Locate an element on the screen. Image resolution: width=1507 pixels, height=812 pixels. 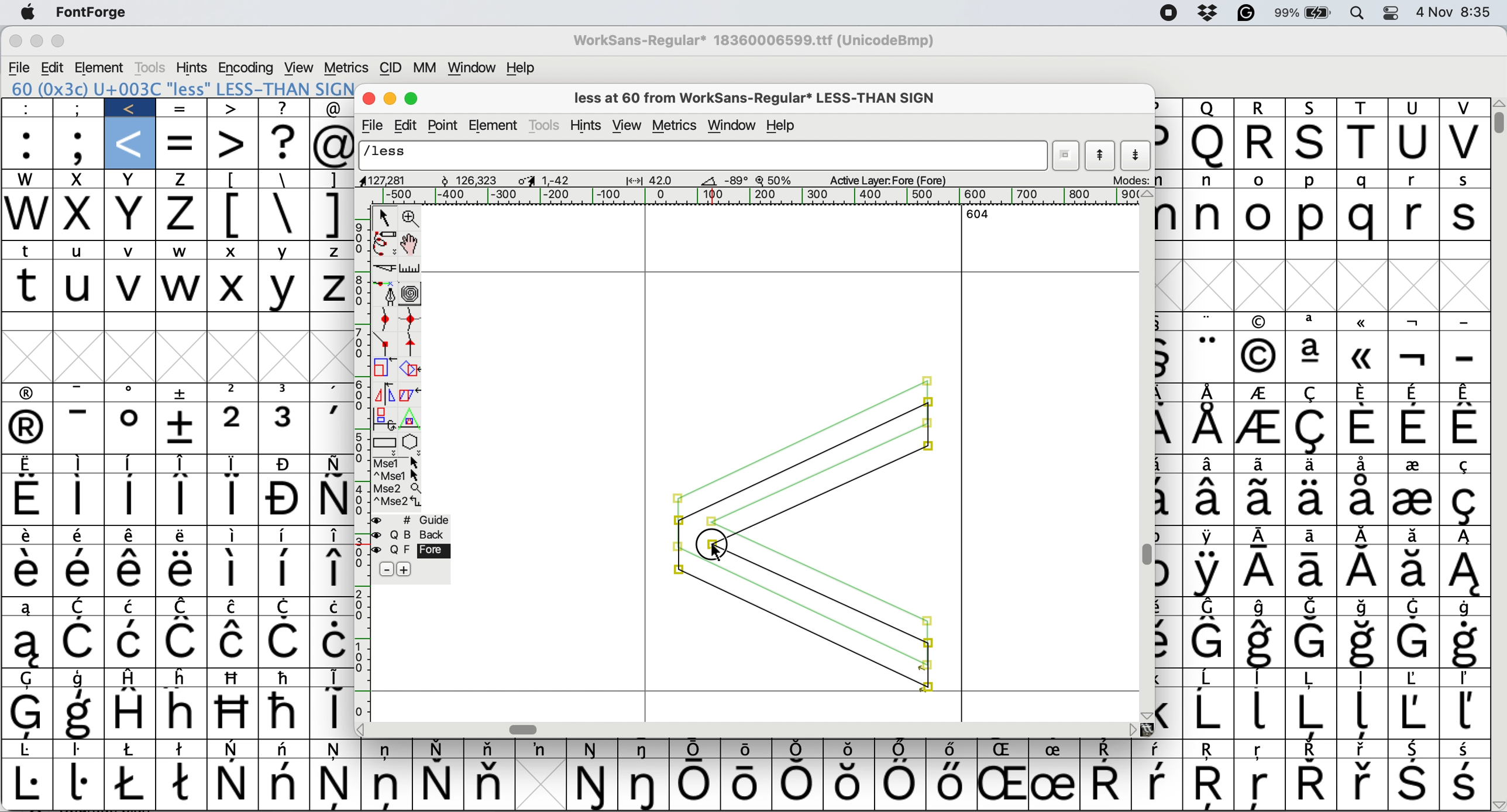
Symbol is located at coordinates (440, 748).